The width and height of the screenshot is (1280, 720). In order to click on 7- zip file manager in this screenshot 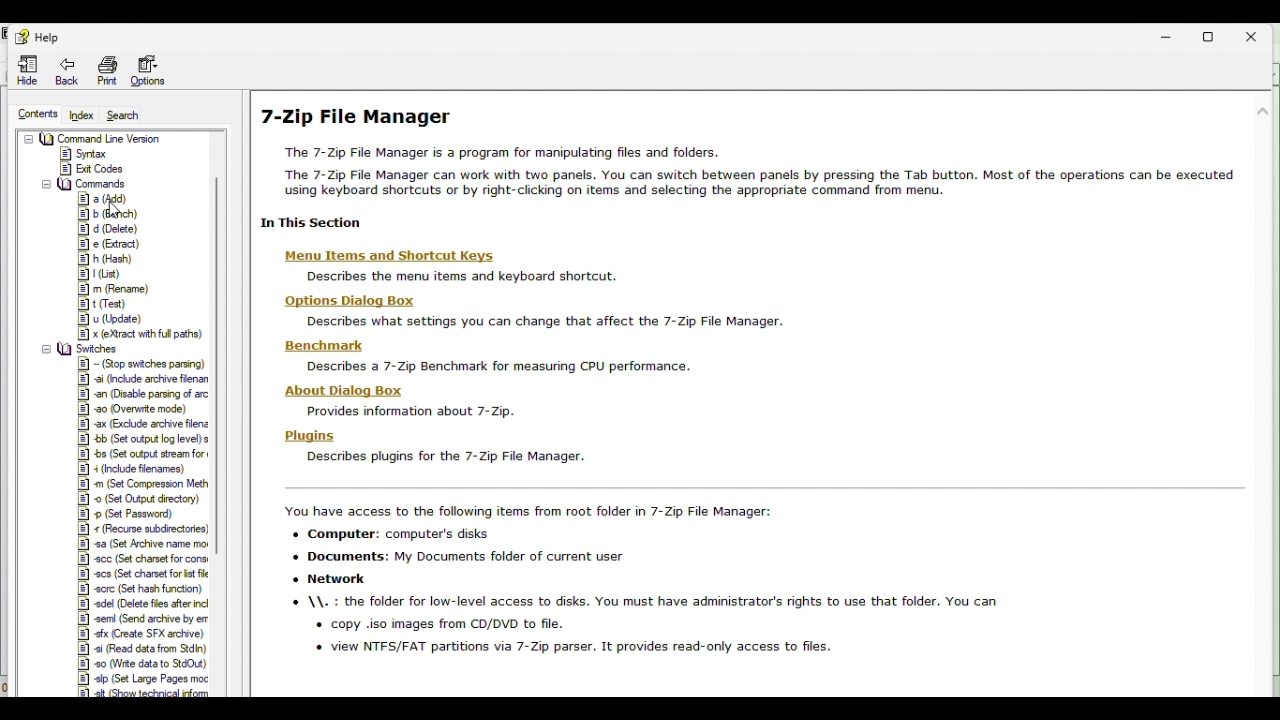, I will do `click(759, 167)`.